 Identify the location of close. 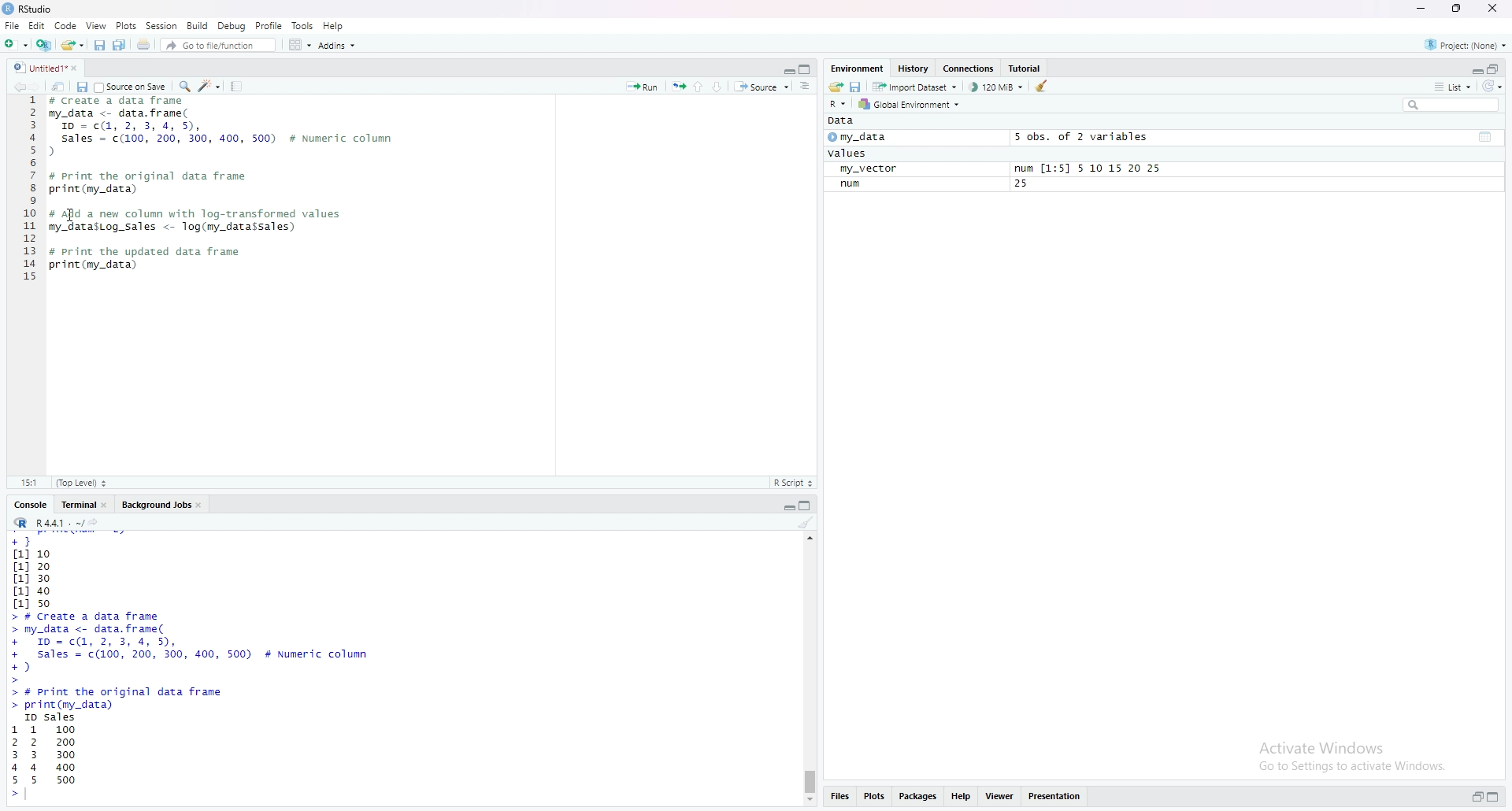
(109, 505).